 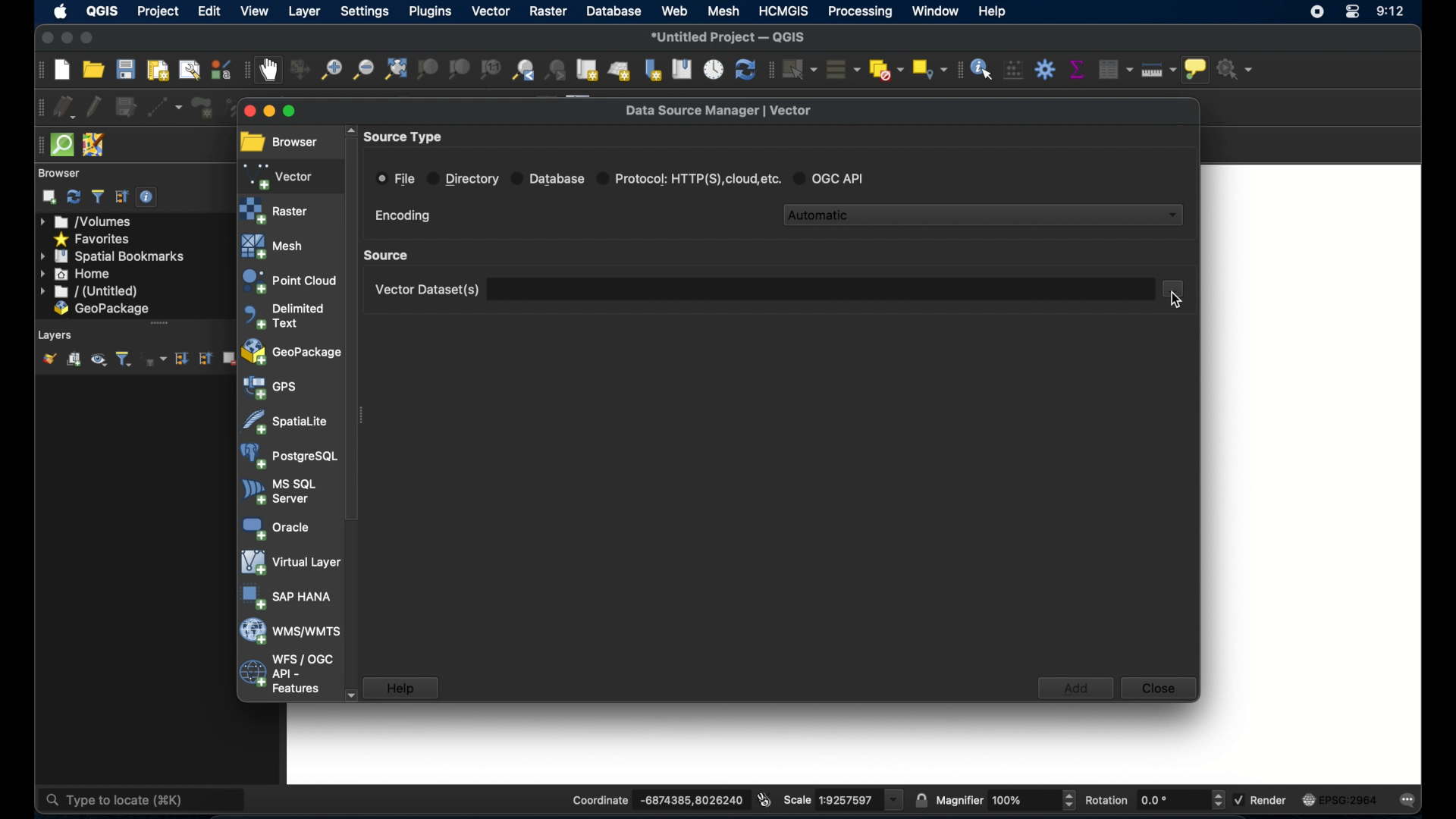 What do you see at coordinates (289, 632) in the screenshot?
I see `wms/wmts` at bounding box center [289, 632].